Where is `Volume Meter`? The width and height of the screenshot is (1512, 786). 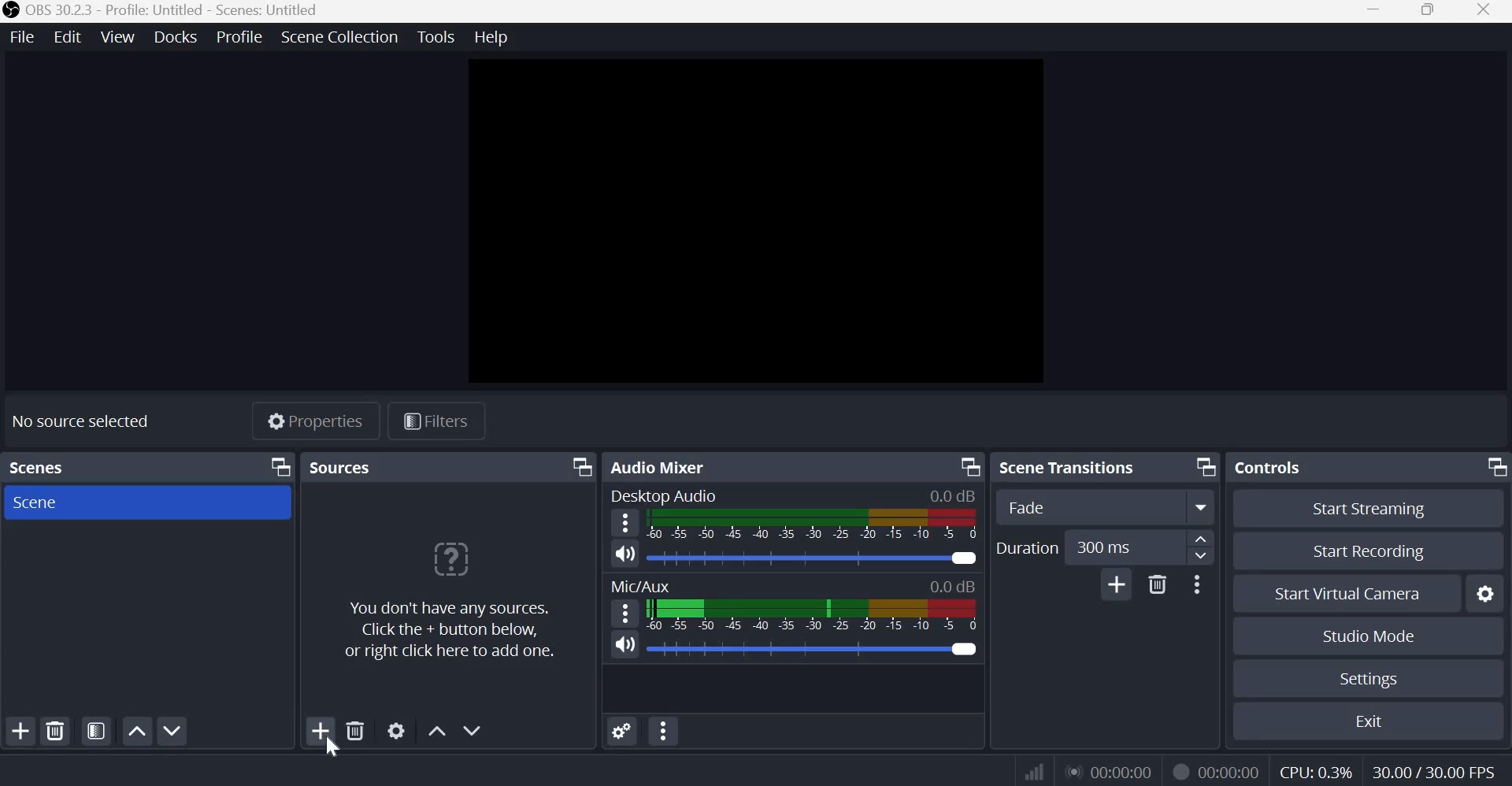
Volume Meter is located at coordinates (811, 614).